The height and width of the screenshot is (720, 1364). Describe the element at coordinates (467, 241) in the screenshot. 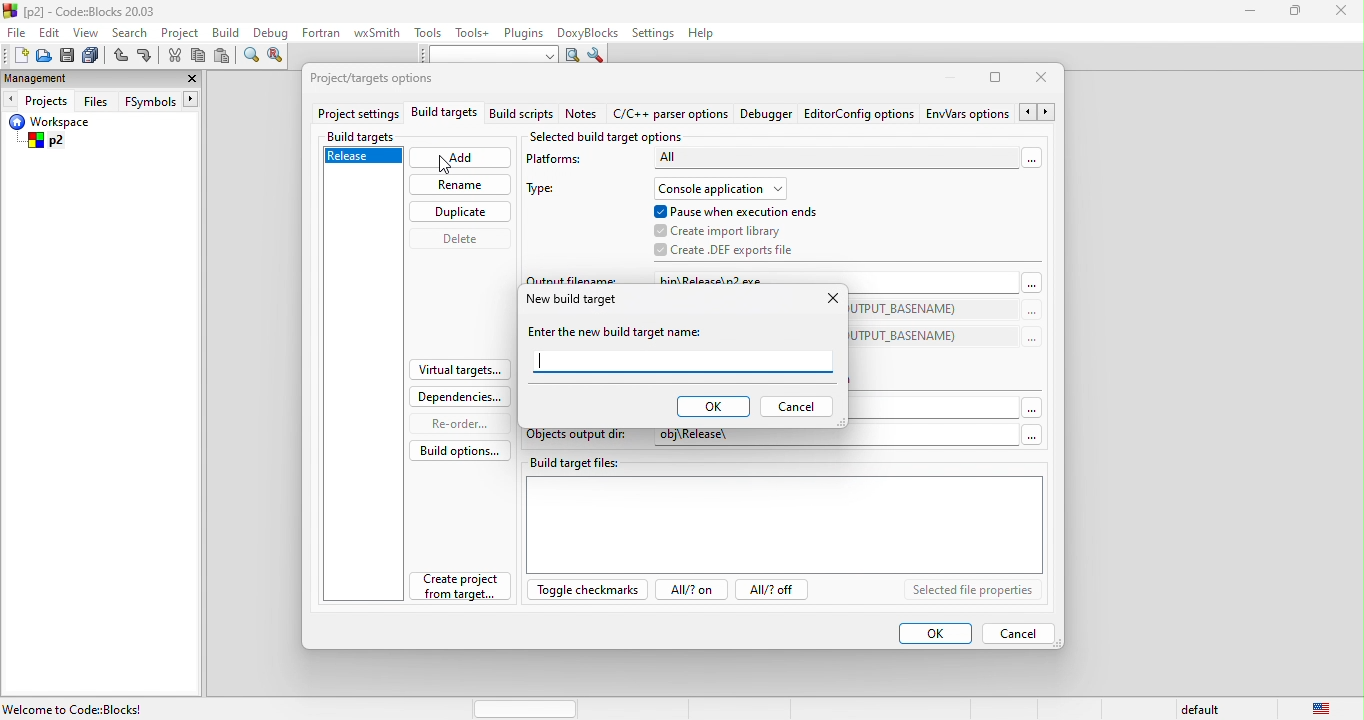

I see `delete` at that location.